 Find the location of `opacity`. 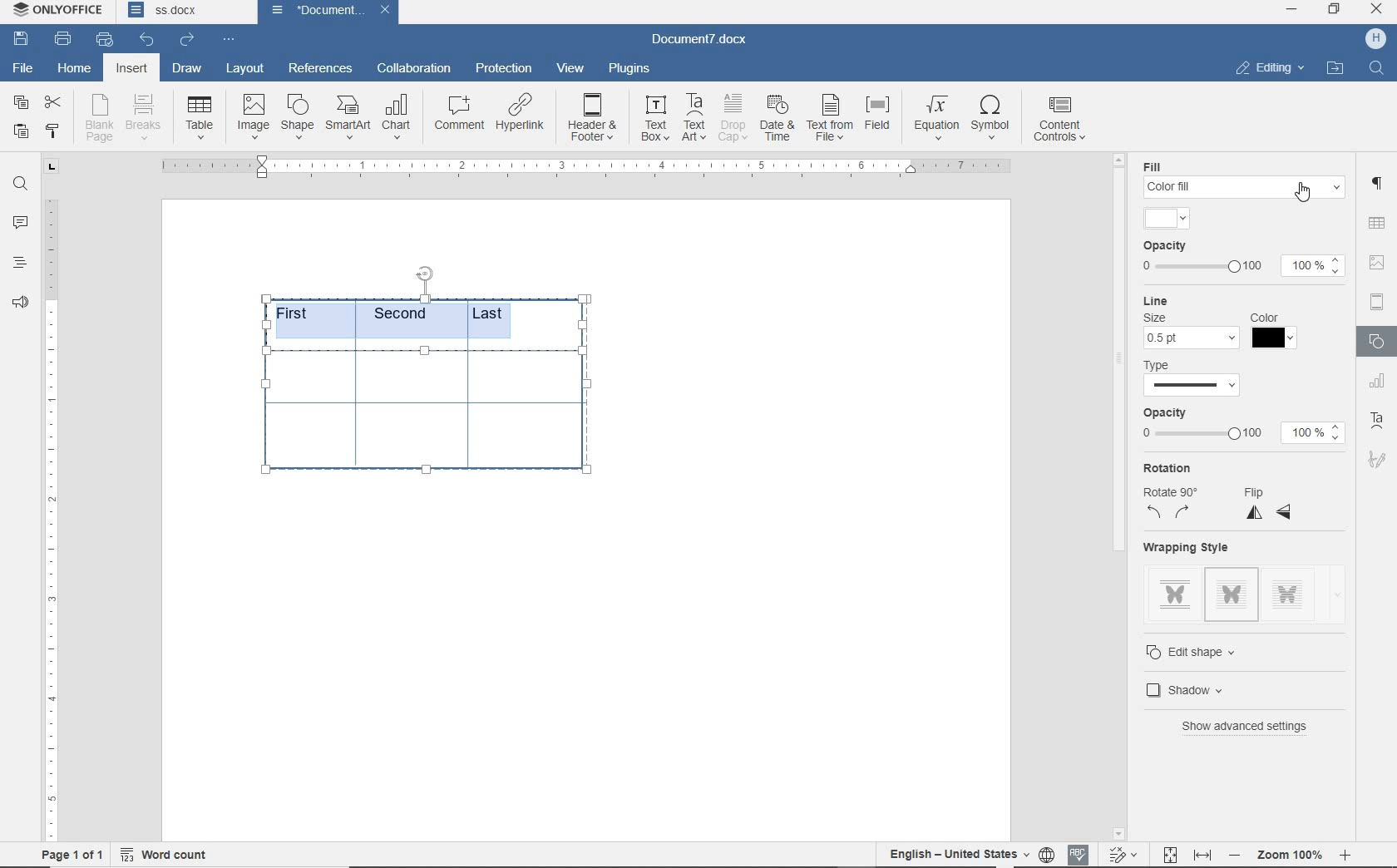

opacity is located at coordinates (1172, 245).